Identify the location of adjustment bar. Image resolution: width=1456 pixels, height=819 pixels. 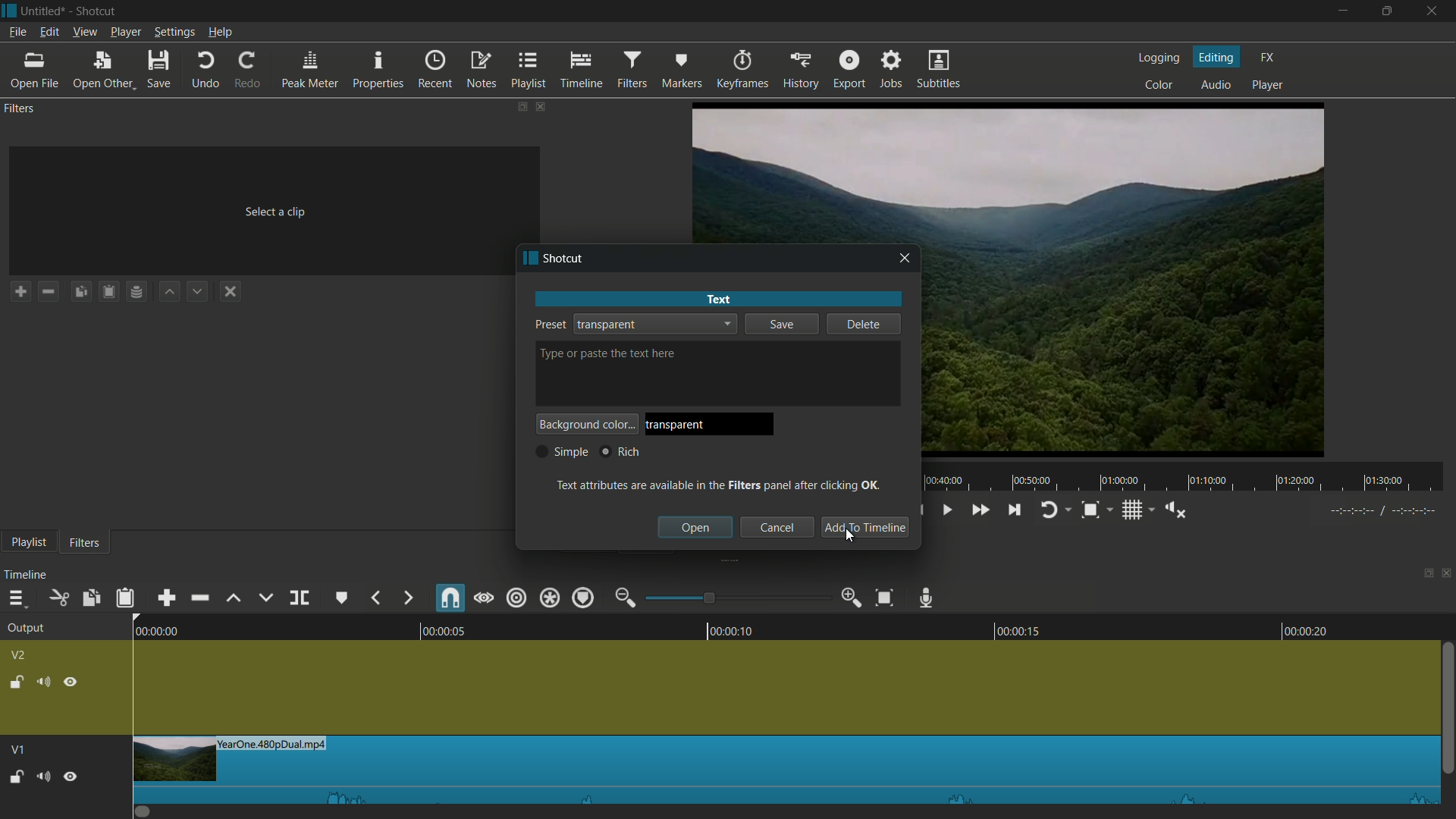
(739, 598).